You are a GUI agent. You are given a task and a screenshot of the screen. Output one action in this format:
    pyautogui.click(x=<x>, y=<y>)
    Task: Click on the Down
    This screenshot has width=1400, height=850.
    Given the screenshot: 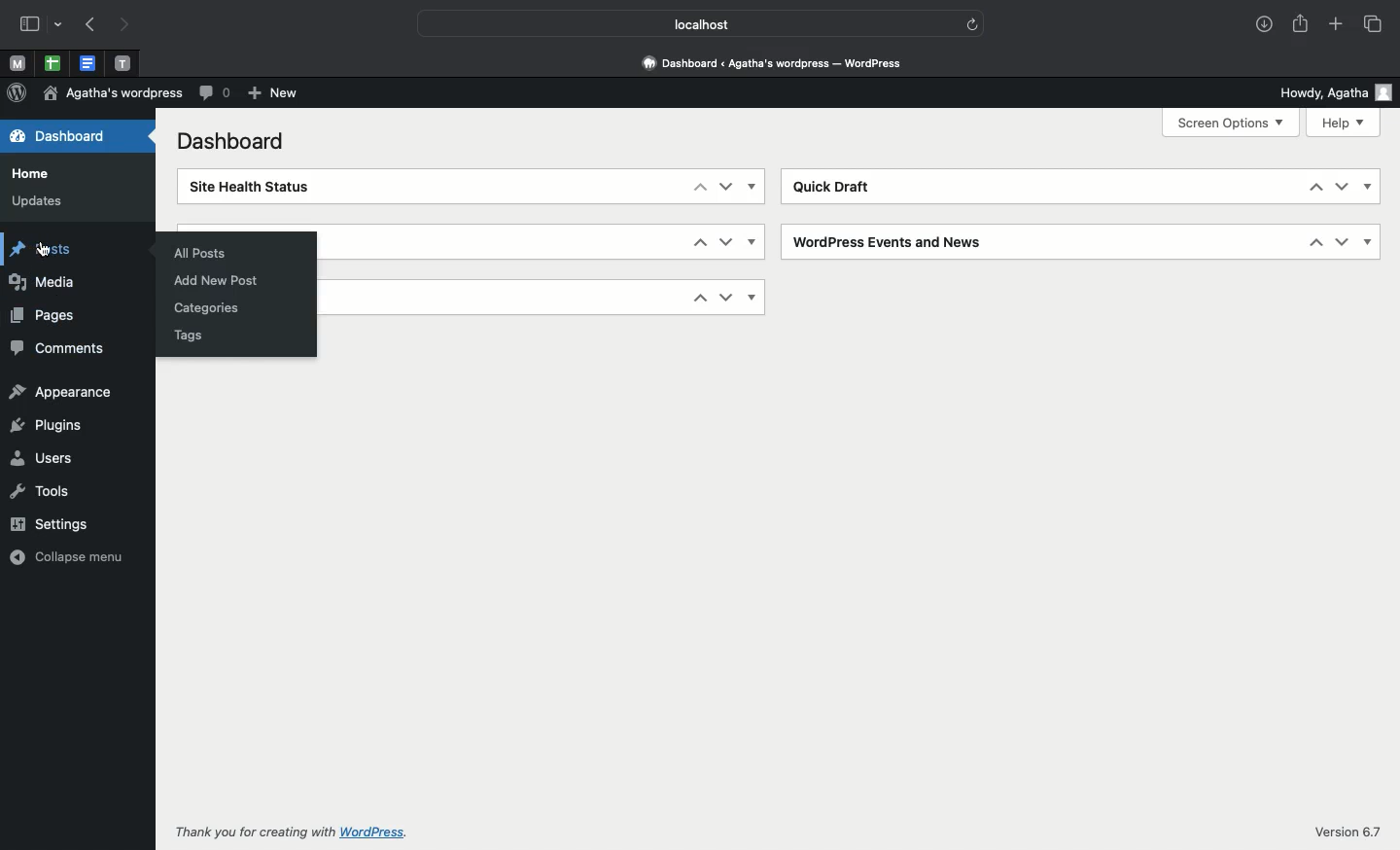 What is the action you would take?
    pyautogui.click(x=728, y=299)
    